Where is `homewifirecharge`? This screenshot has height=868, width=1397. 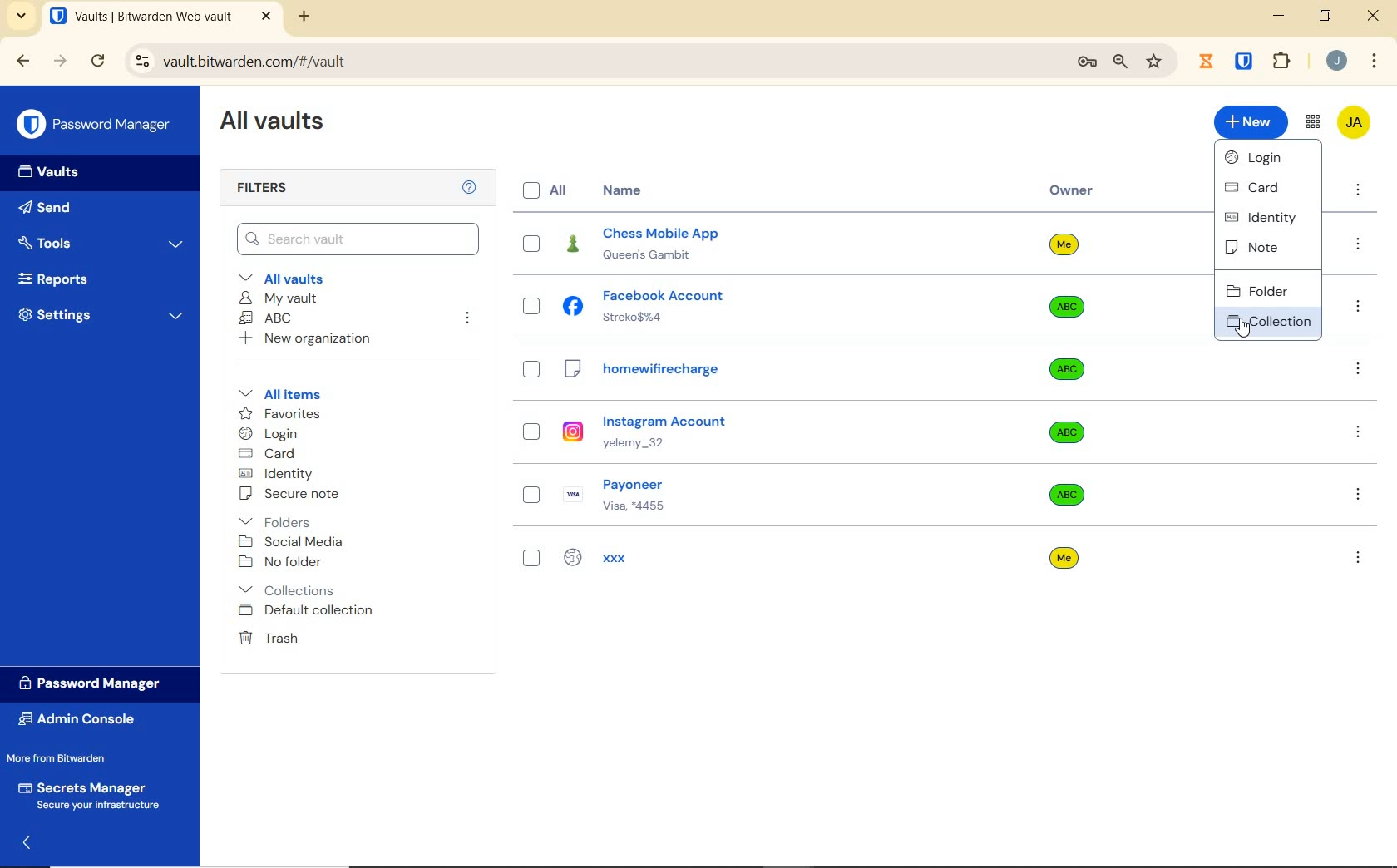 homewifirecharge is located at coordinates (764, 367).